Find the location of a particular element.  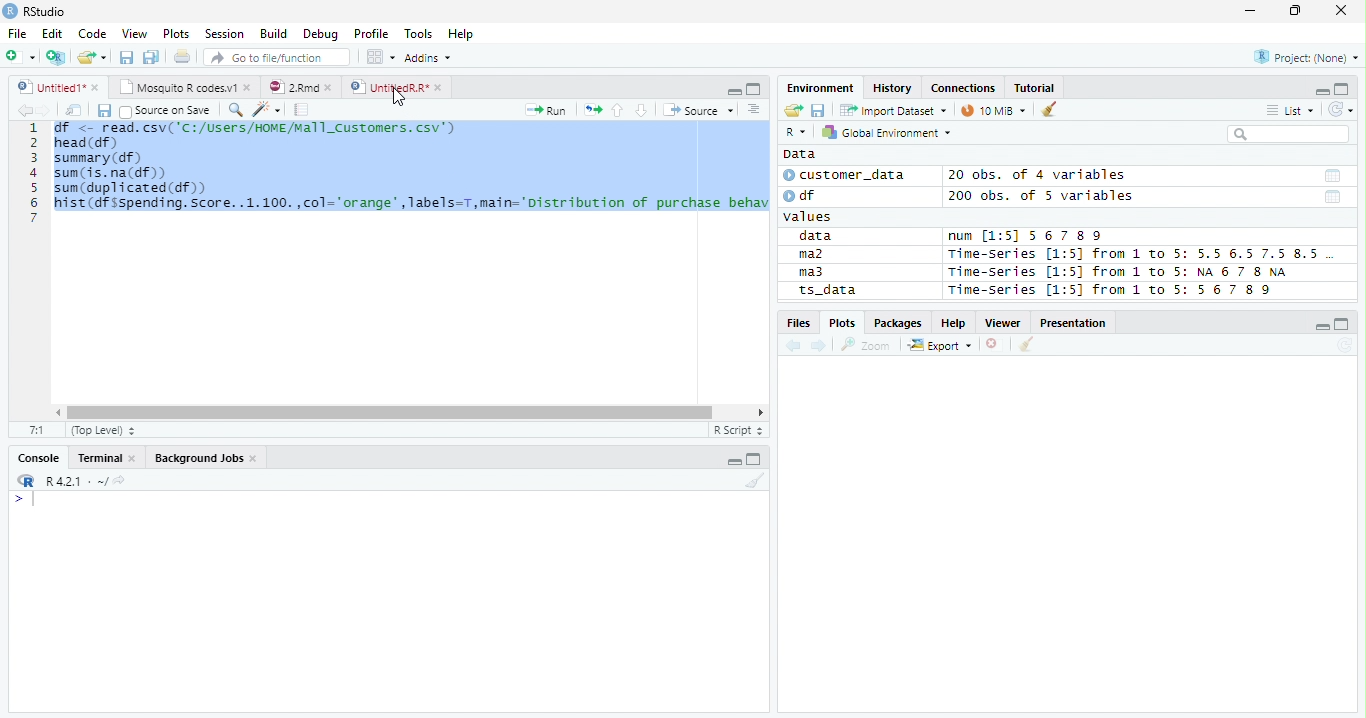

Minimize is located at coordinates (735, 459).